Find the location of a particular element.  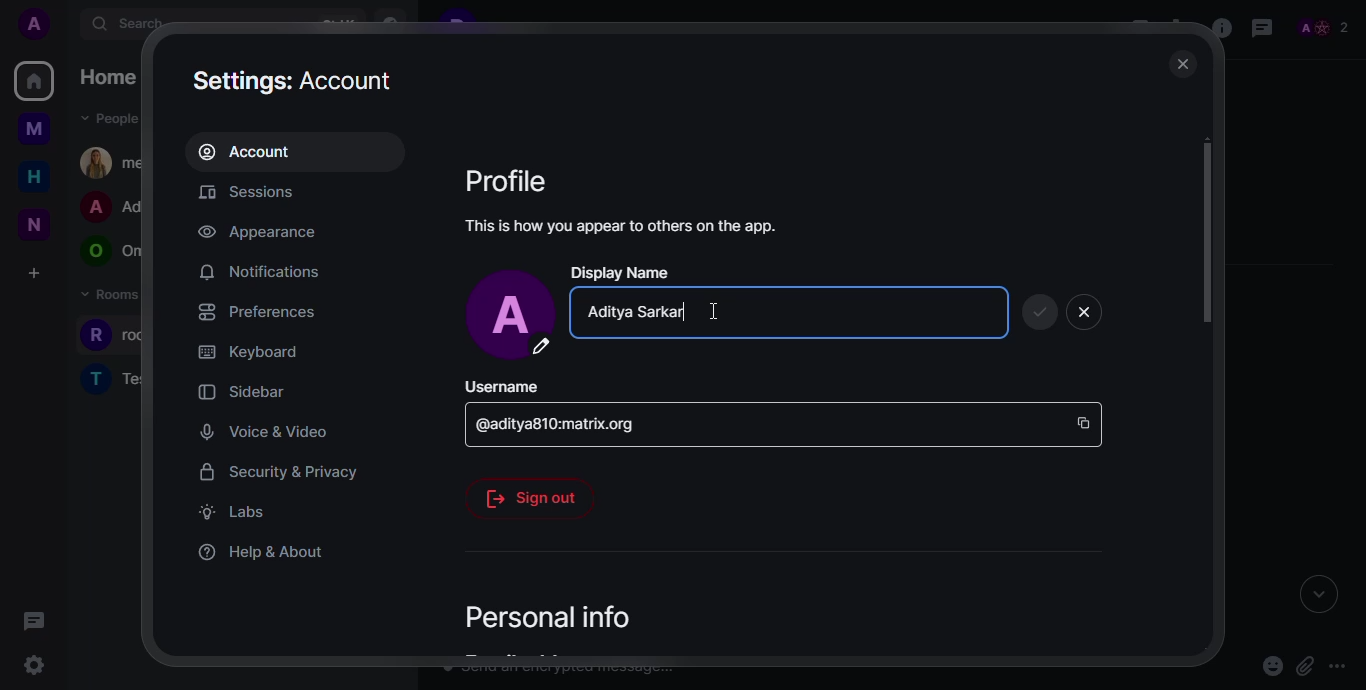

save is located at coordinates (1039, 311).